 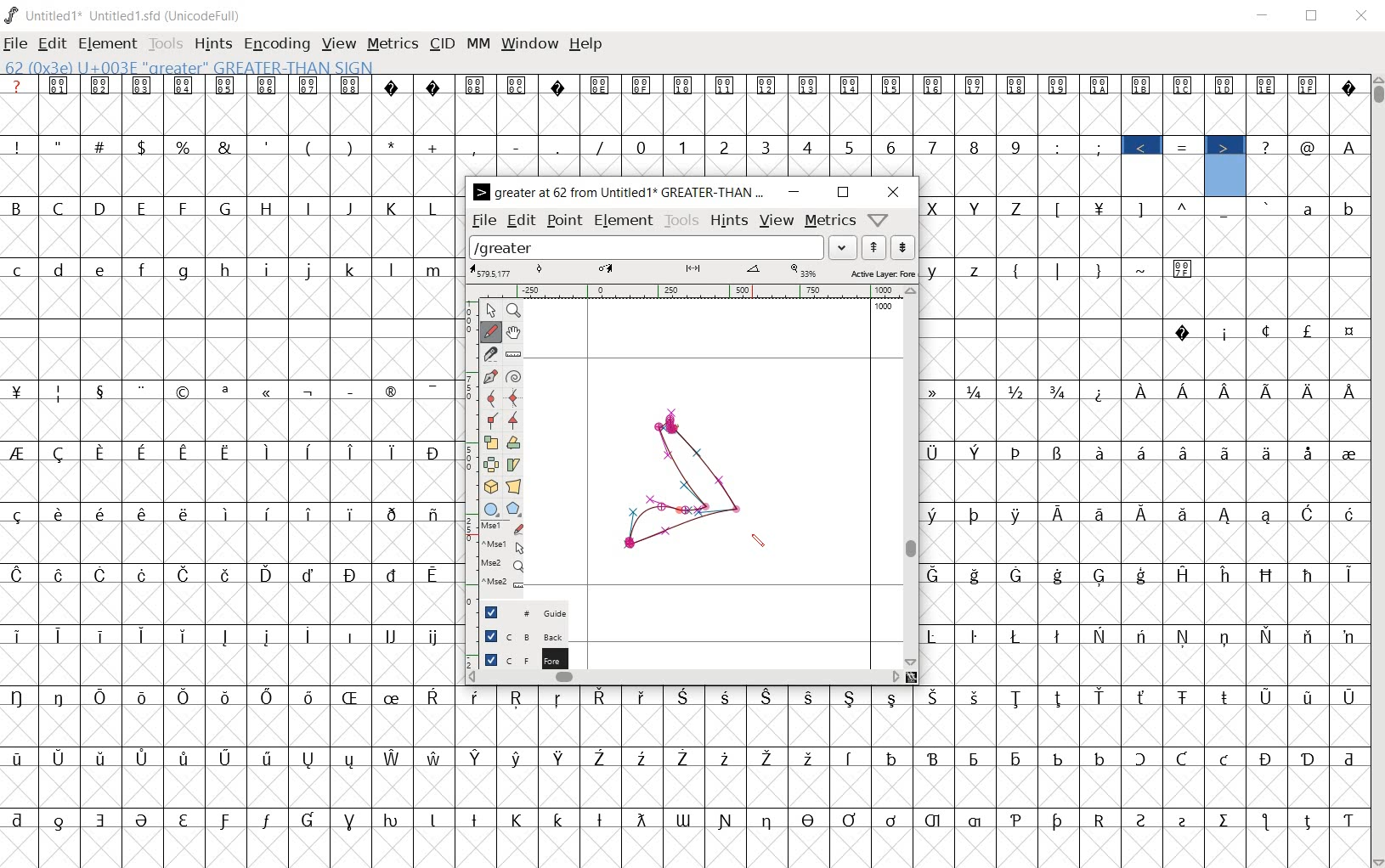 I want to click on metrics, so click(x=830, y=221).